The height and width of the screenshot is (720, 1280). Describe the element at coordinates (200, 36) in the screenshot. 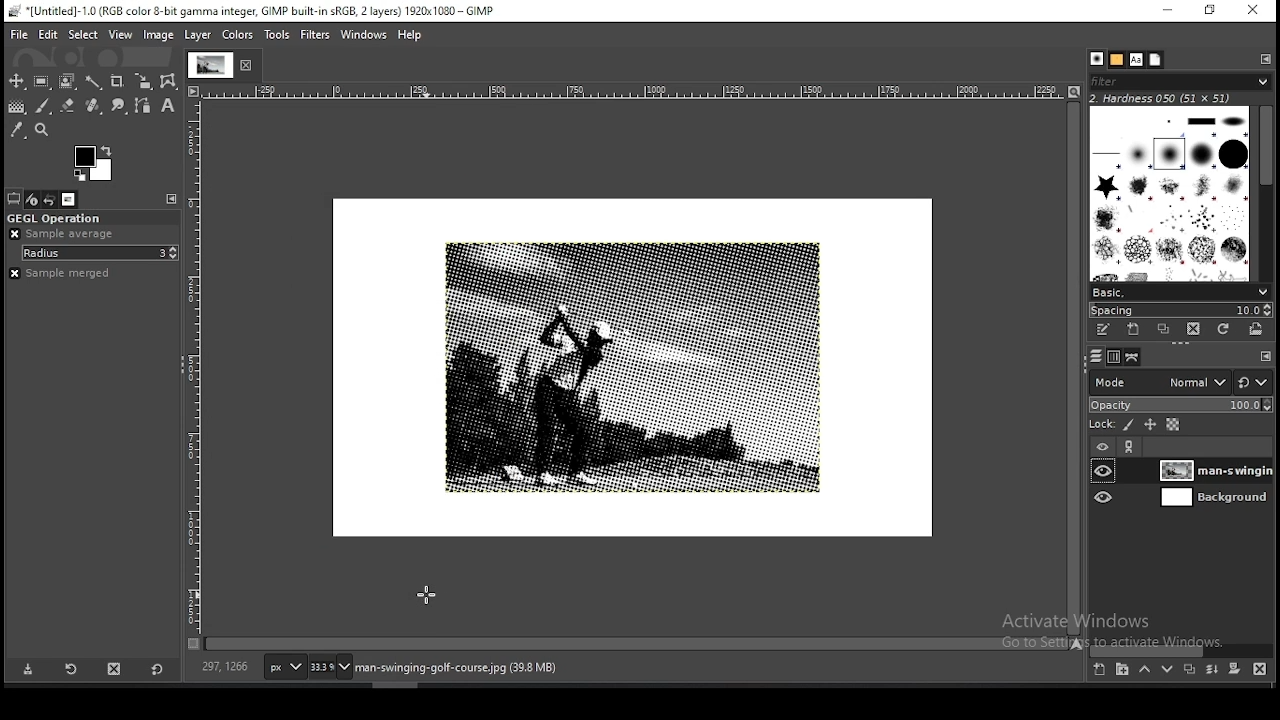

I see `layer` at that location.